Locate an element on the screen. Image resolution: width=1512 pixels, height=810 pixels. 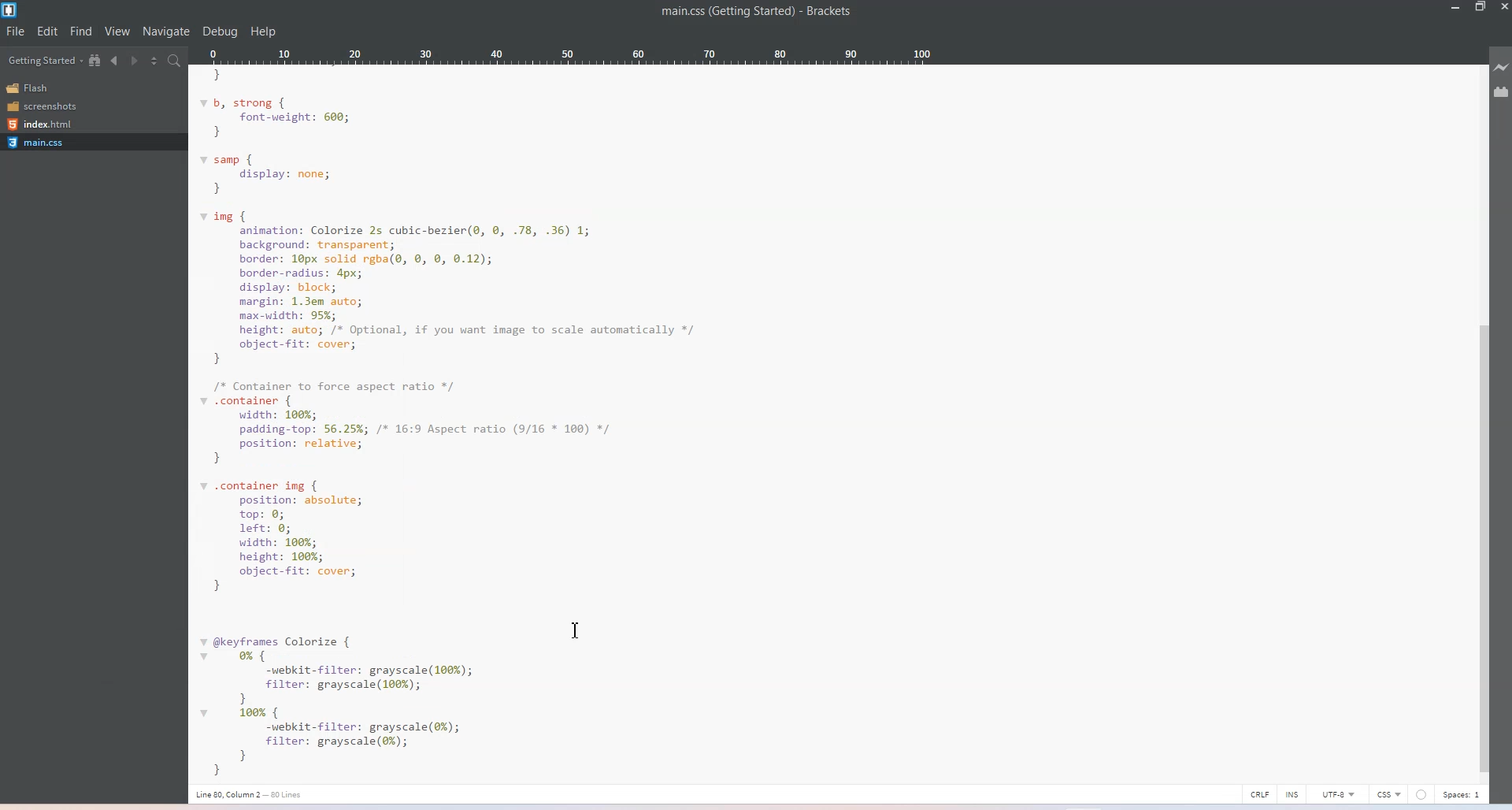
File is located at coordinates (15, 31).